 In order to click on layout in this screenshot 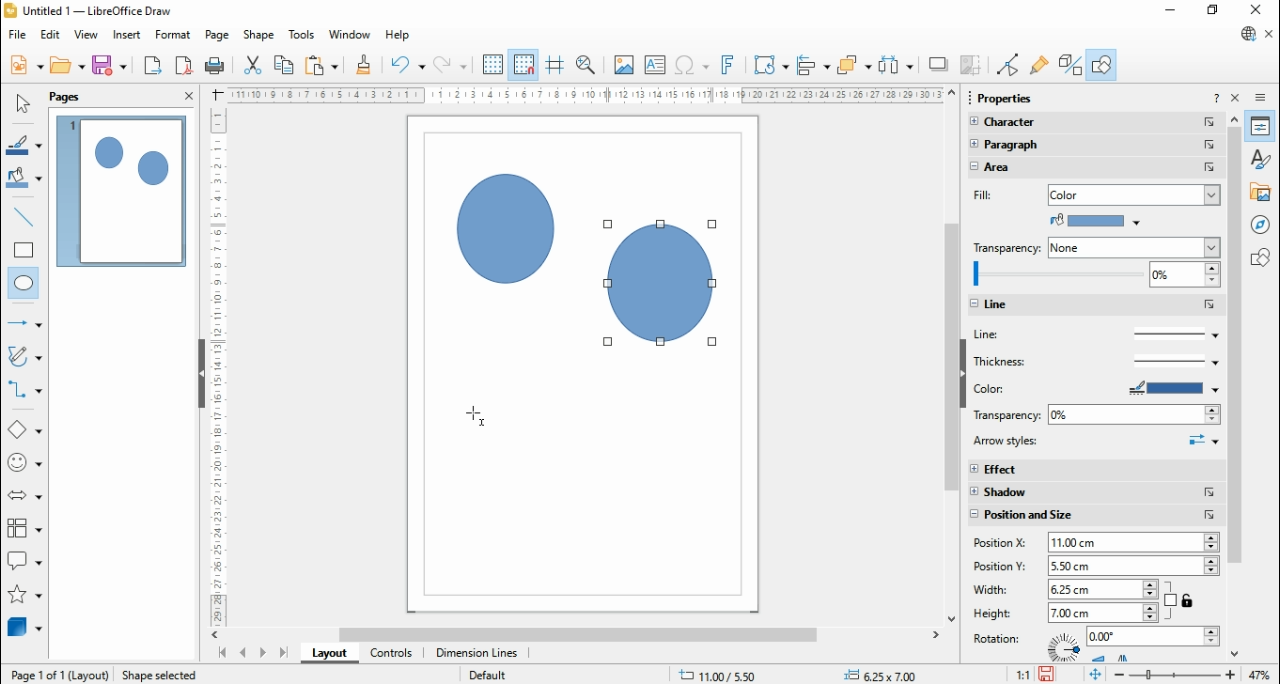, I will do `click(328, 653)`.